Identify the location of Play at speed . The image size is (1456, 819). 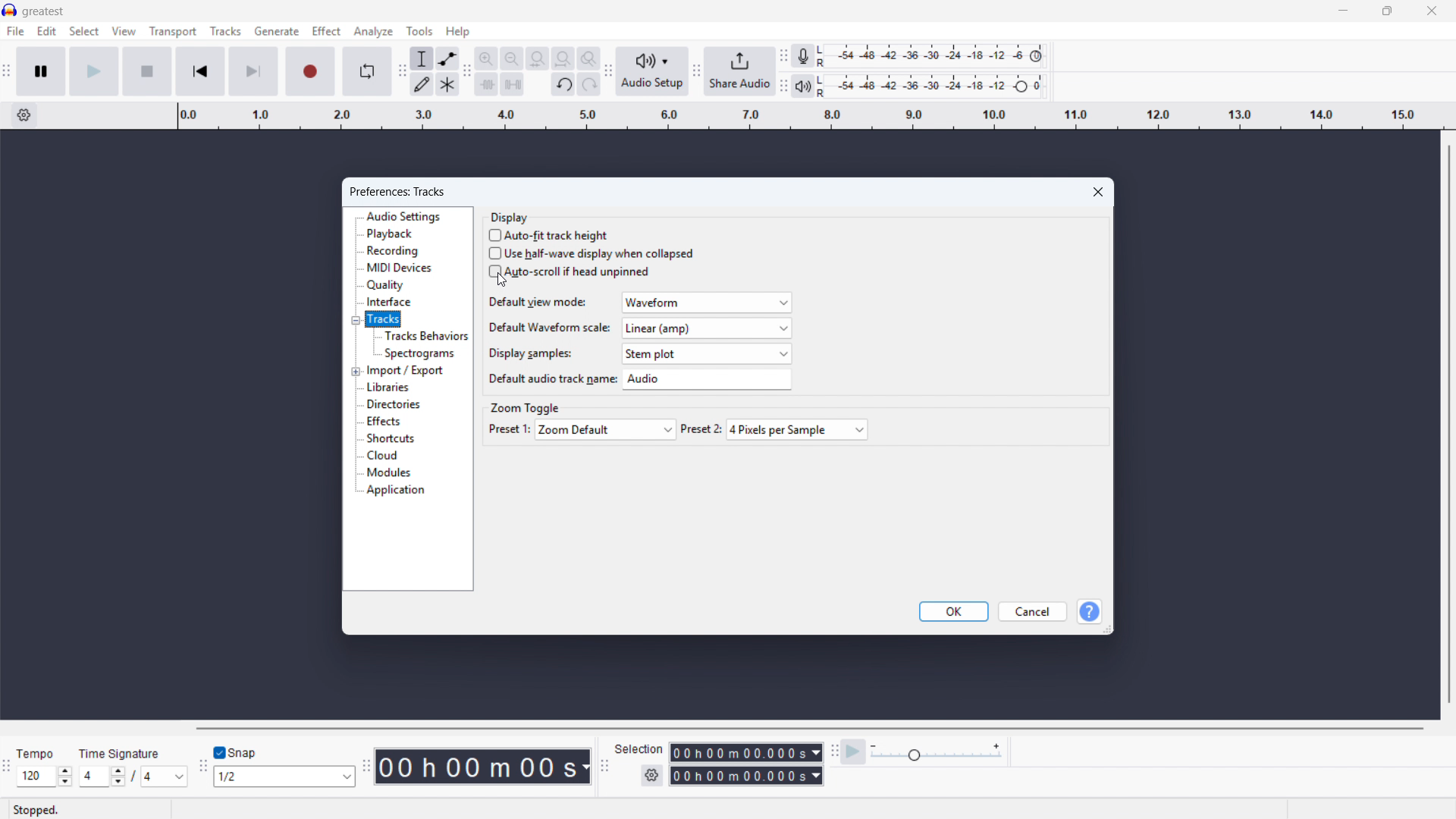
(853, 752).